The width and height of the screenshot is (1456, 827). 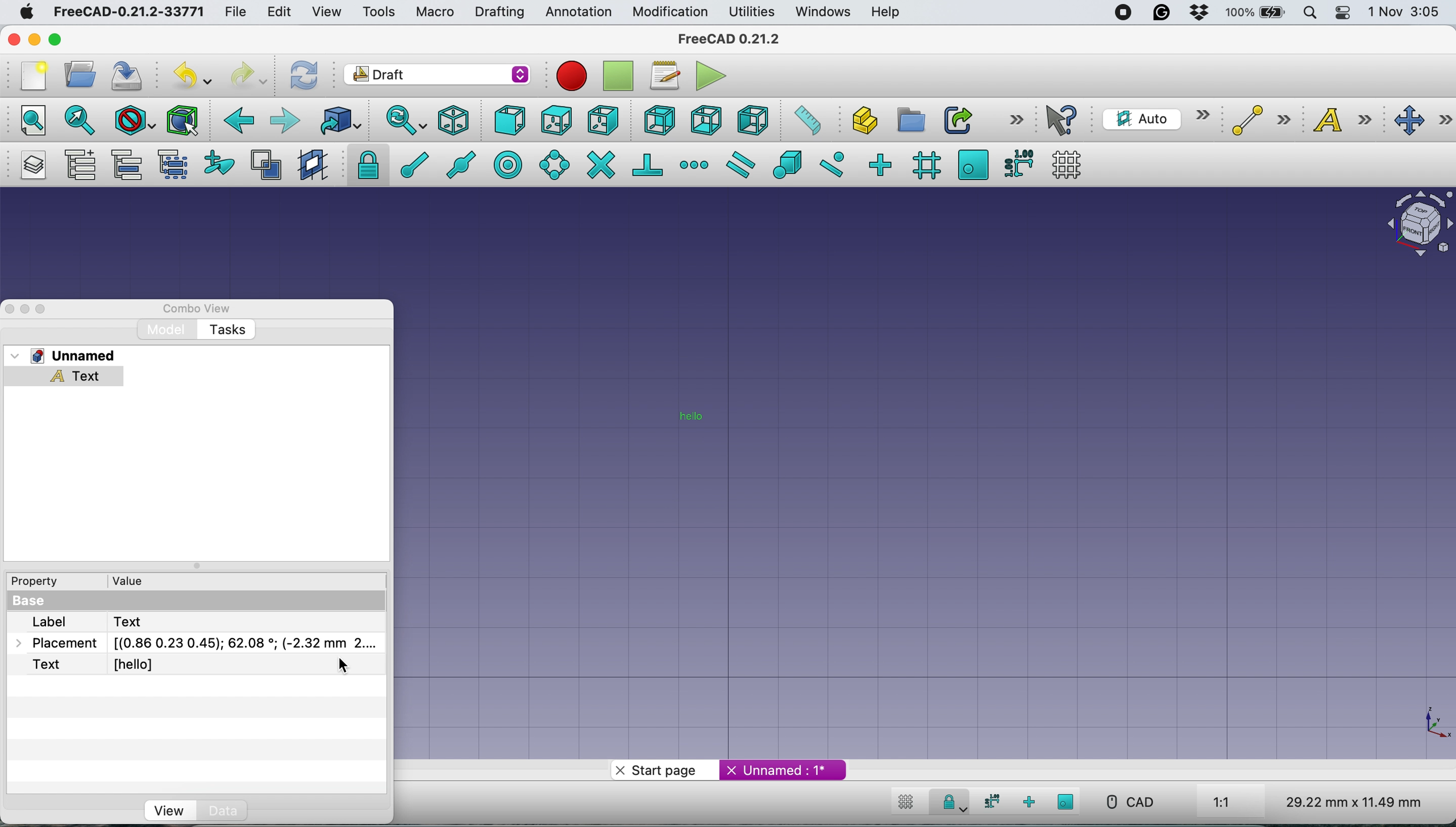 I want to click on front, so click(x=506, y=119).